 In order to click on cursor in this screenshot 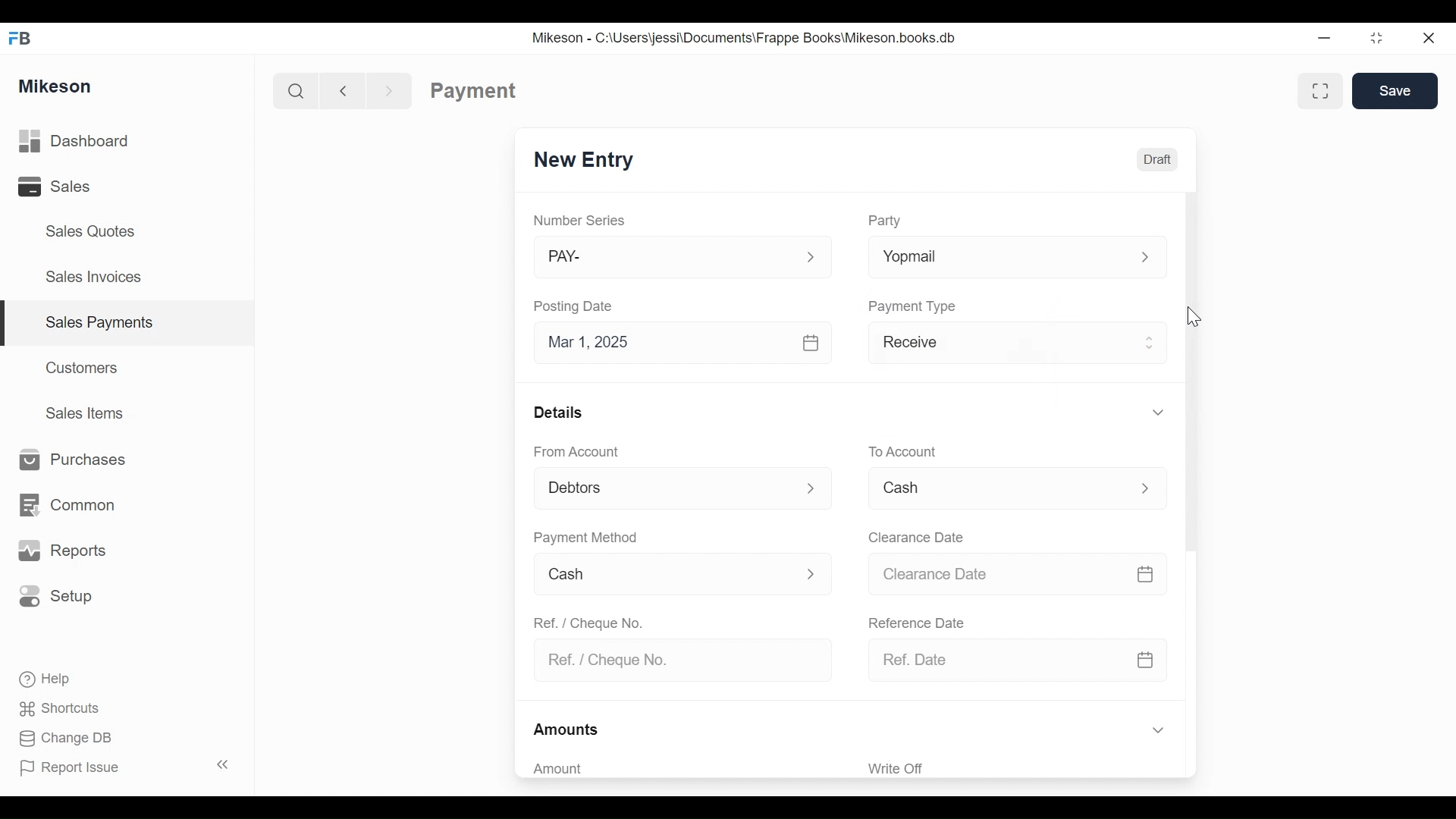, I will do `click(1194, 319)`.